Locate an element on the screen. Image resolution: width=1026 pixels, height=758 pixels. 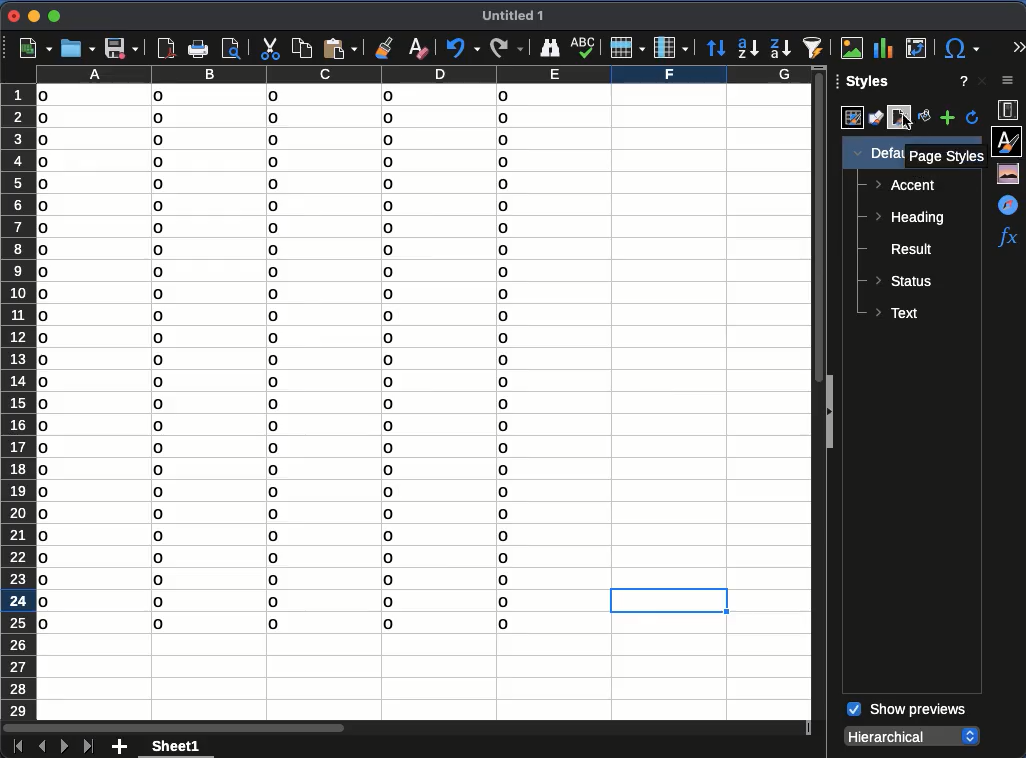
minimize is located at coordinates (33, 16).